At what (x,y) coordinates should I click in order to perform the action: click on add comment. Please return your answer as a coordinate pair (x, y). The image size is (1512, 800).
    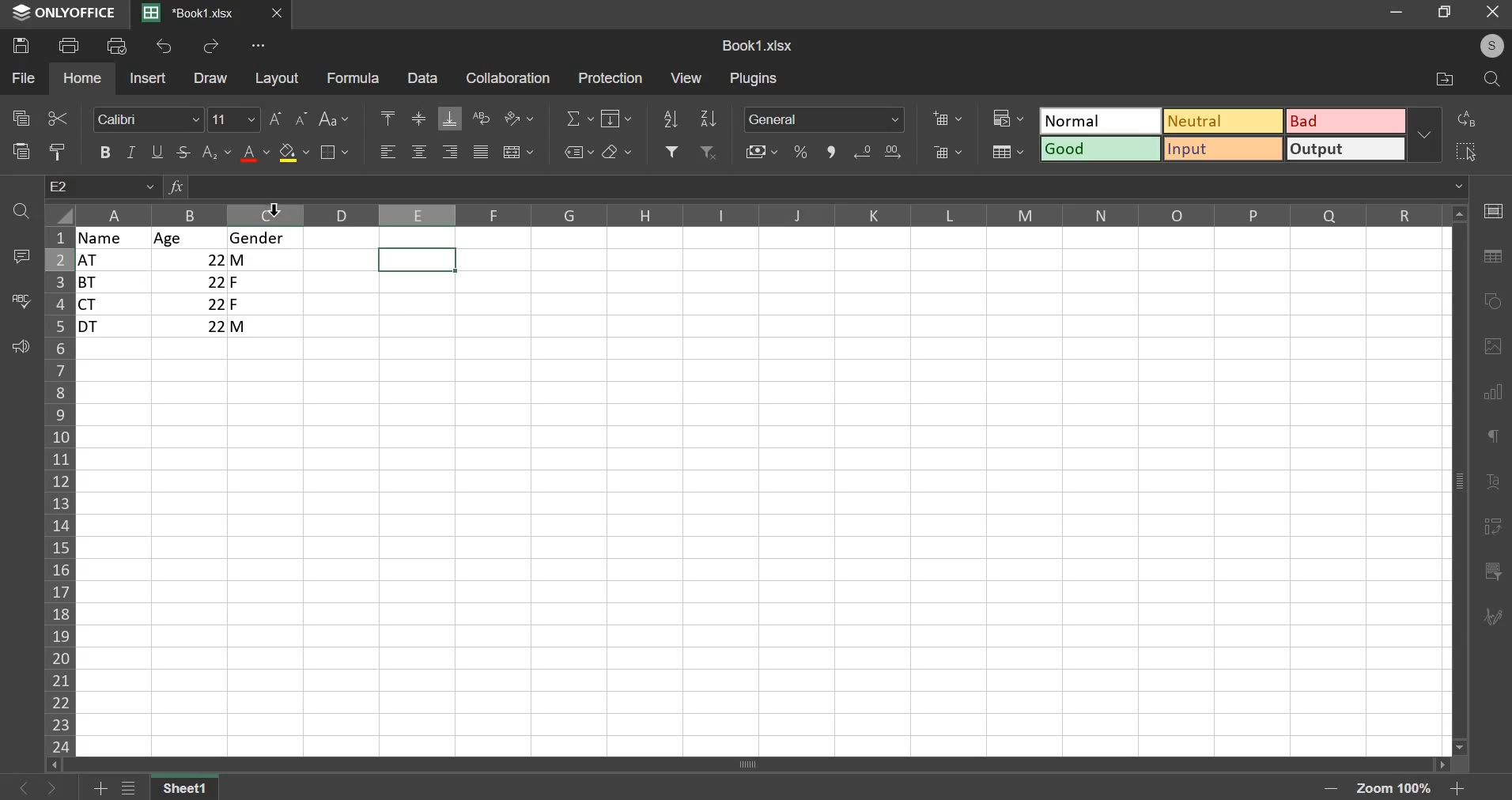
    Looking at the image, I should click on (18, 255).